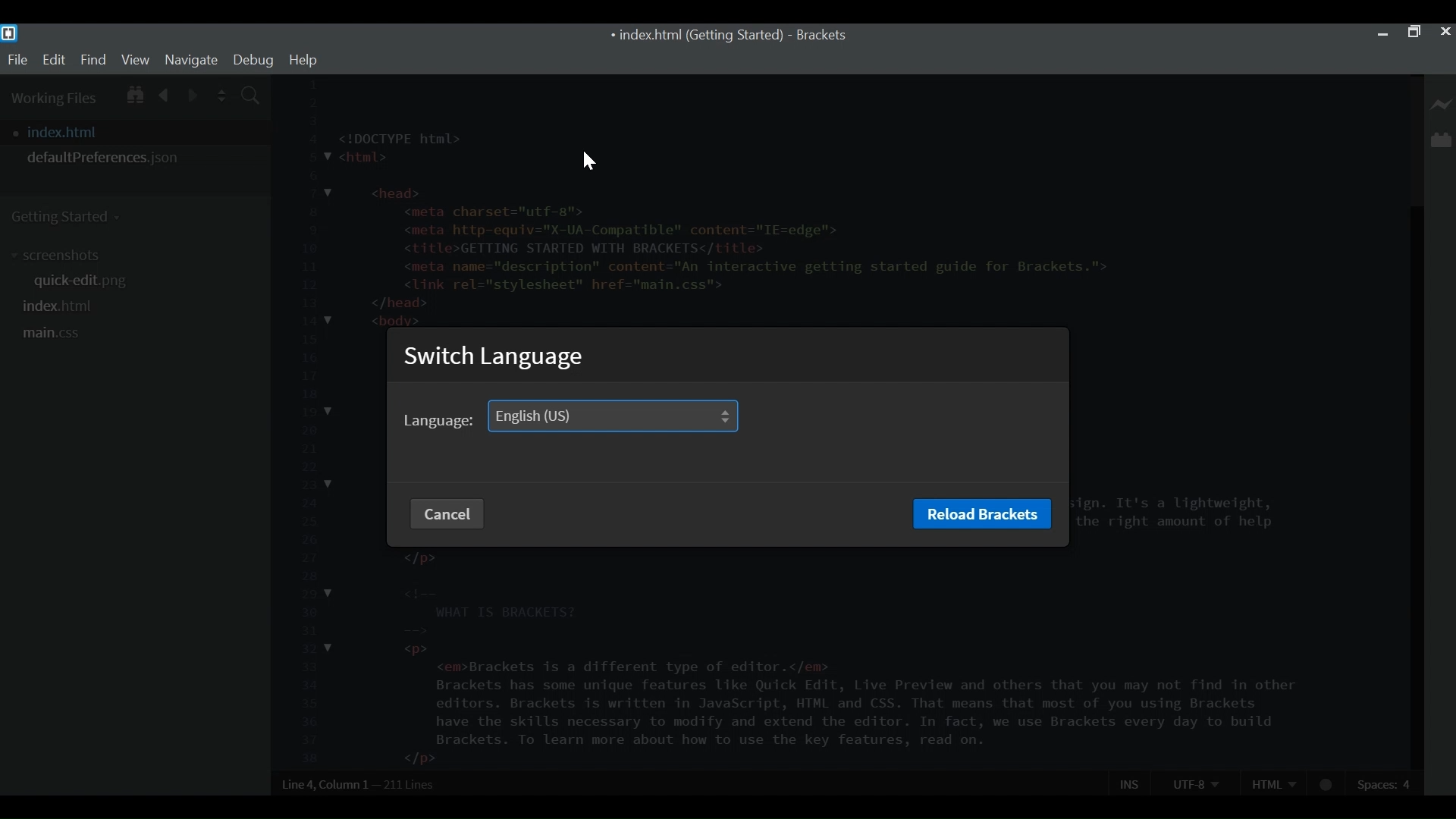  What do you see at coordinates (1441, 140) in the screenshot?
I see `Manage Extensions` at bounding box center [1441, 140].